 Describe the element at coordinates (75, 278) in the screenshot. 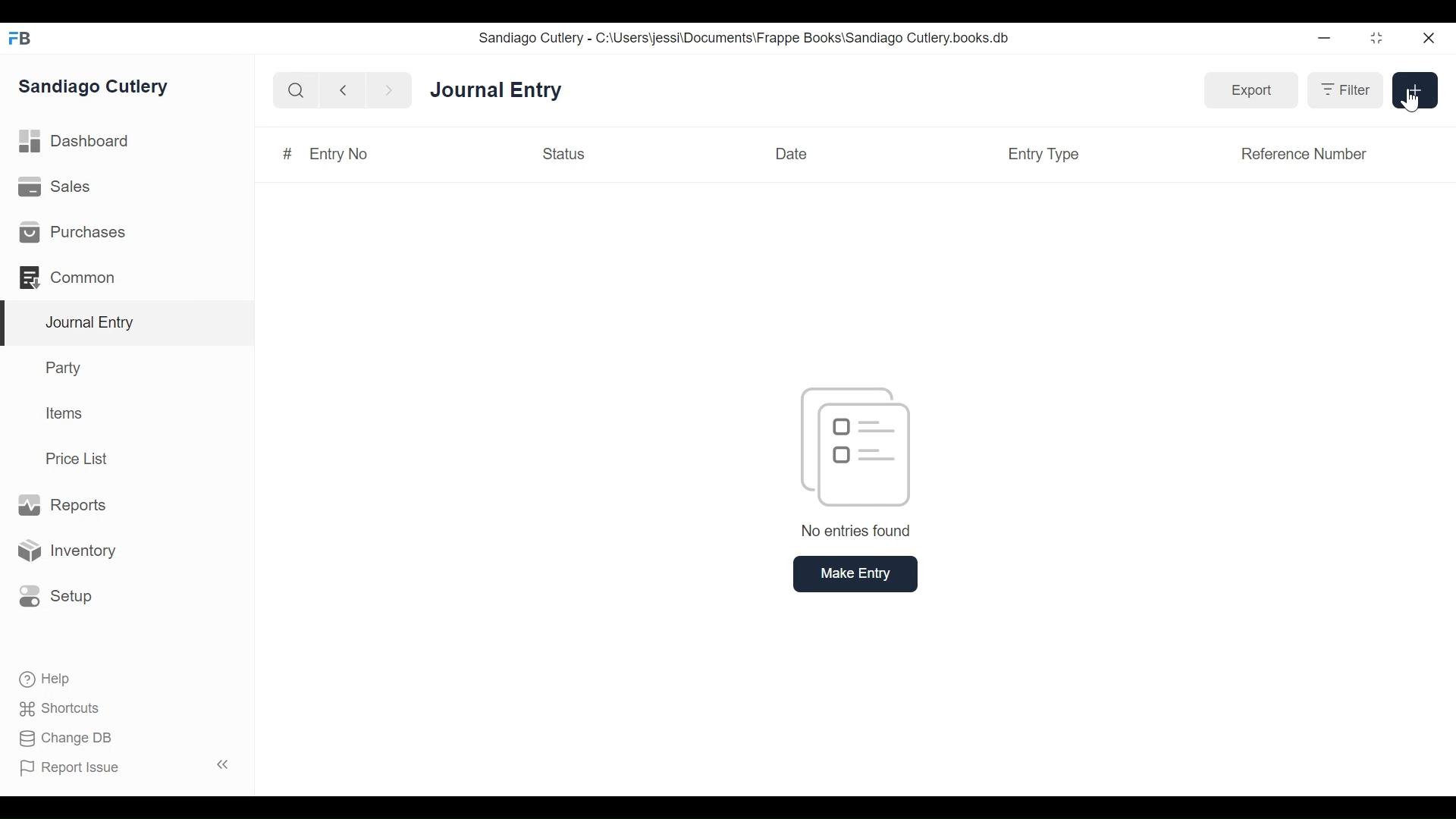

I see `Common` at that location.